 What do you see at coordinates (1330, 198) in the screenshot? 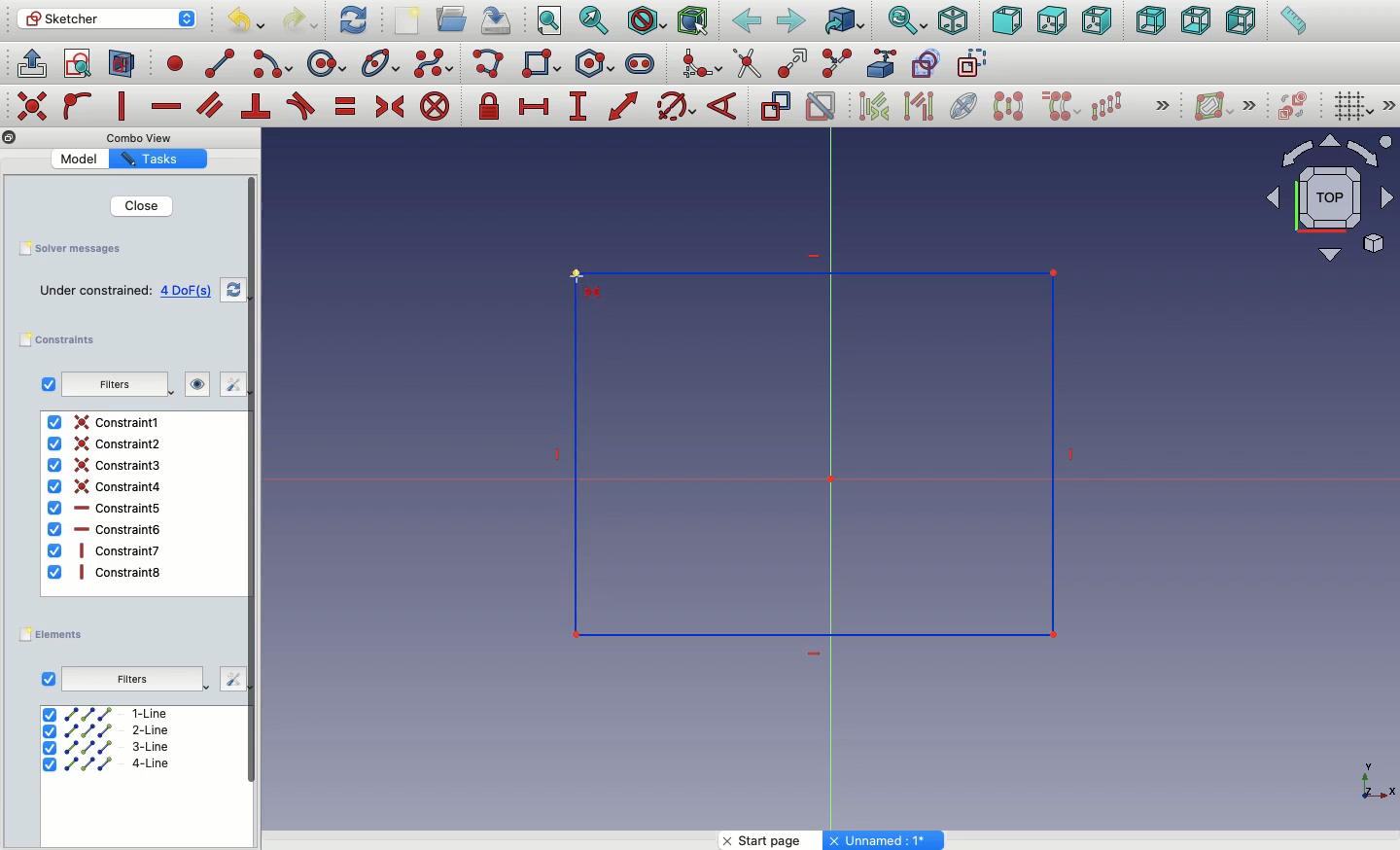
I see `Navigator` at bounding box center [1330, 198].